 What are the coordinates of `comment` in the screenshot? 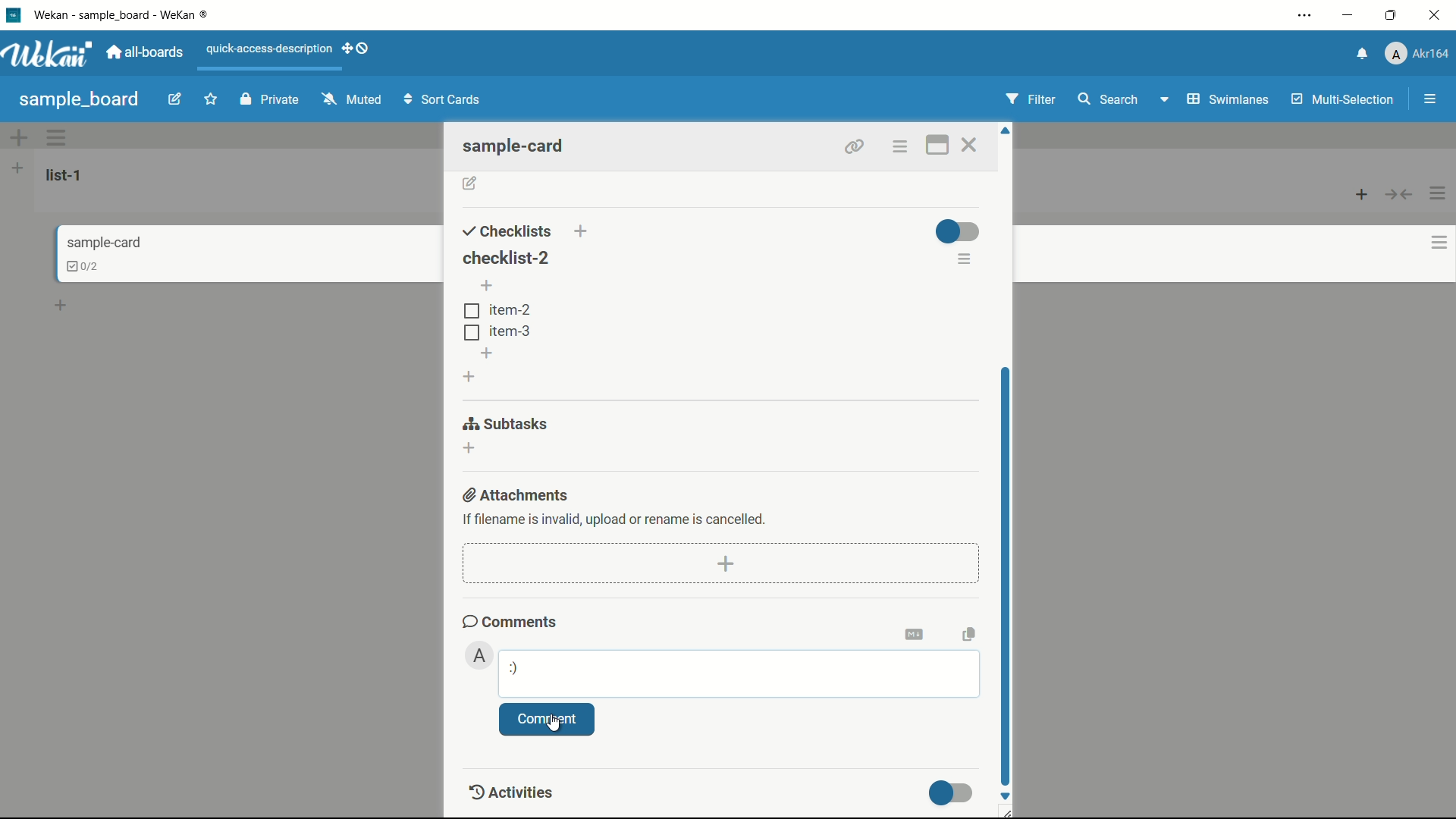 It's located at (547, 720).